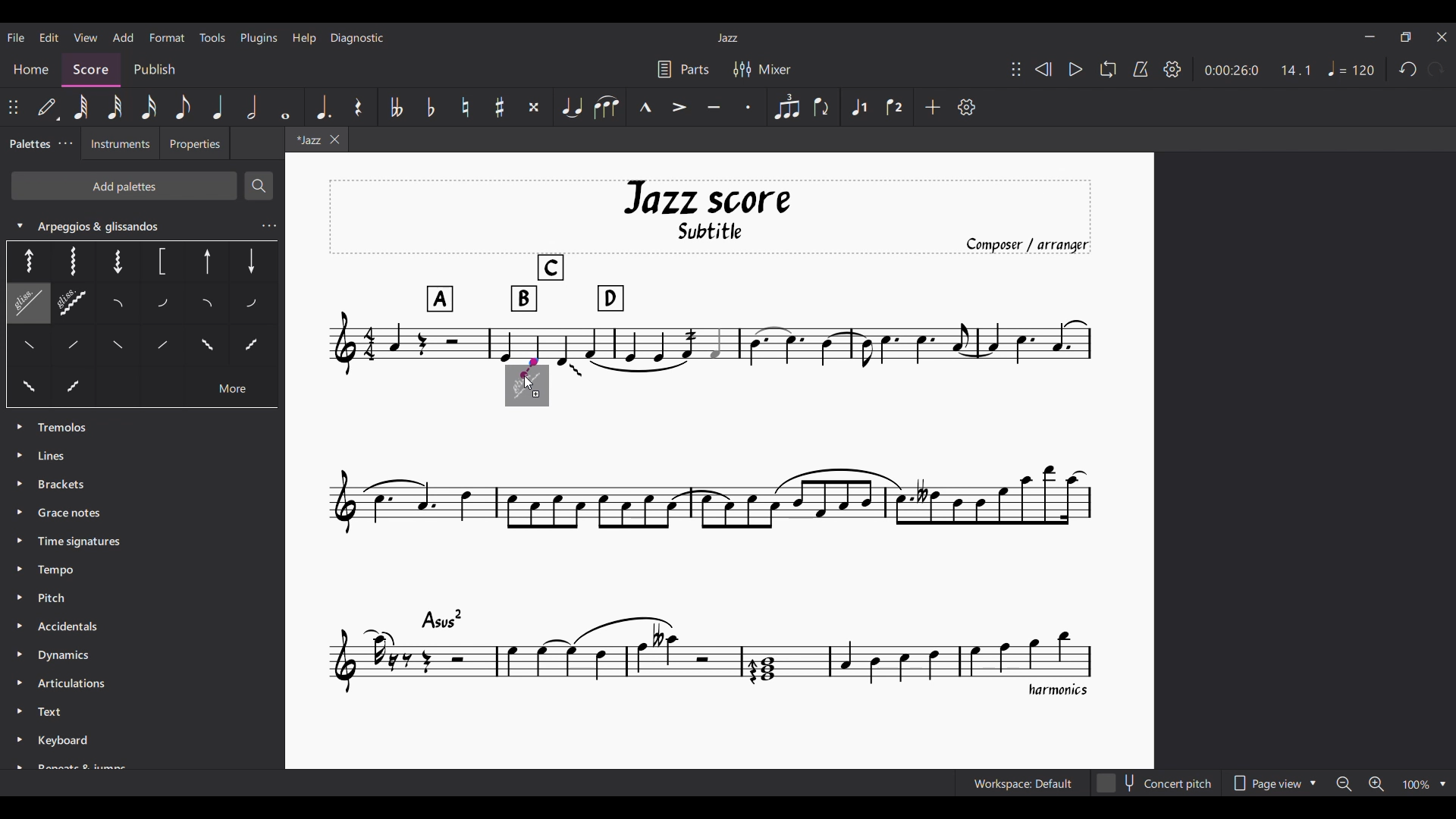 The width and height of the screenshot is (1456, 819). What do you see at coordinates (119, 145) in the screenshot?
I see `Instruments` at bounding box center [119, 145].